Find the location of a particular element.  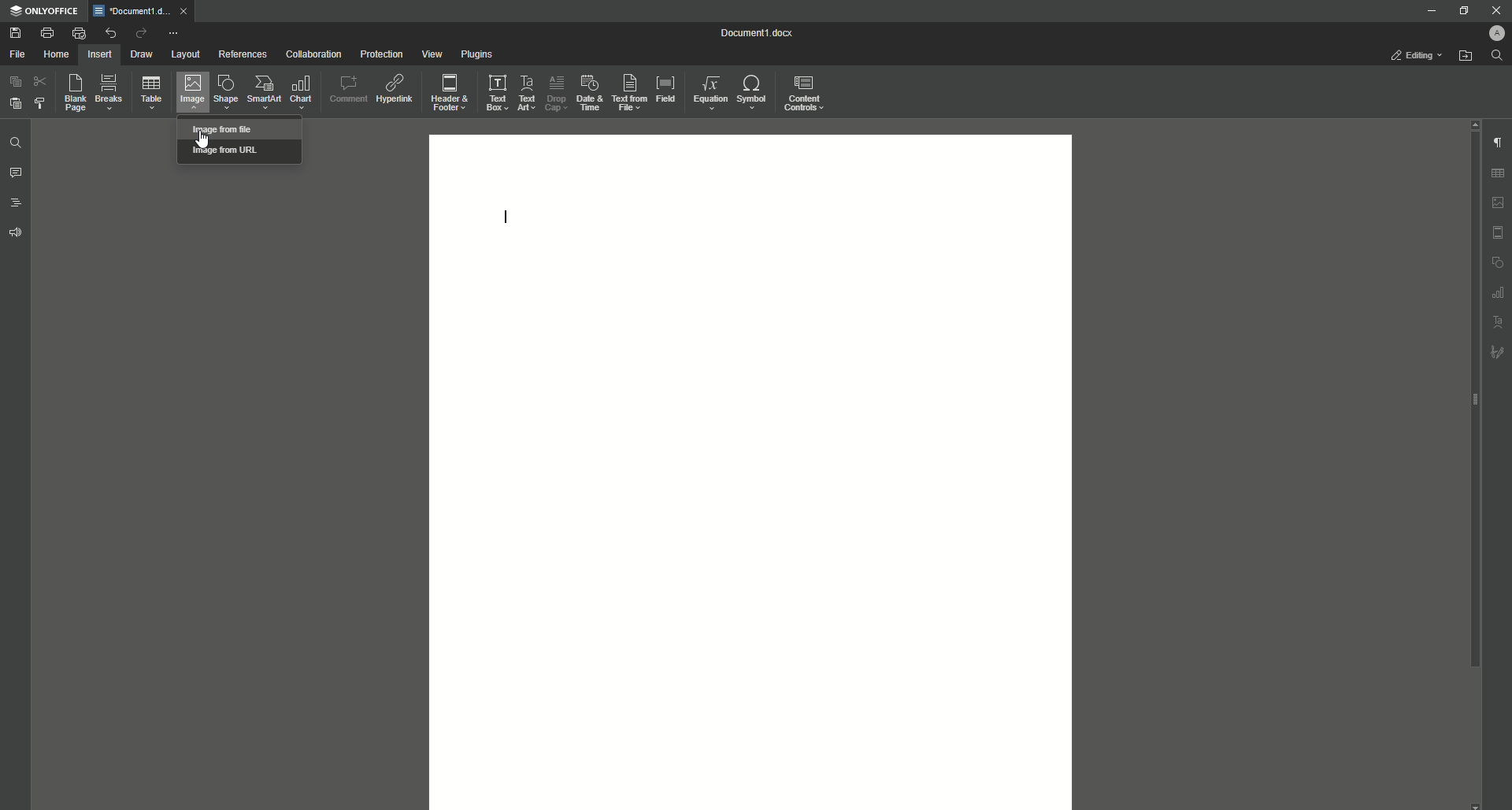

Equation is located at coordinates (710, 95).